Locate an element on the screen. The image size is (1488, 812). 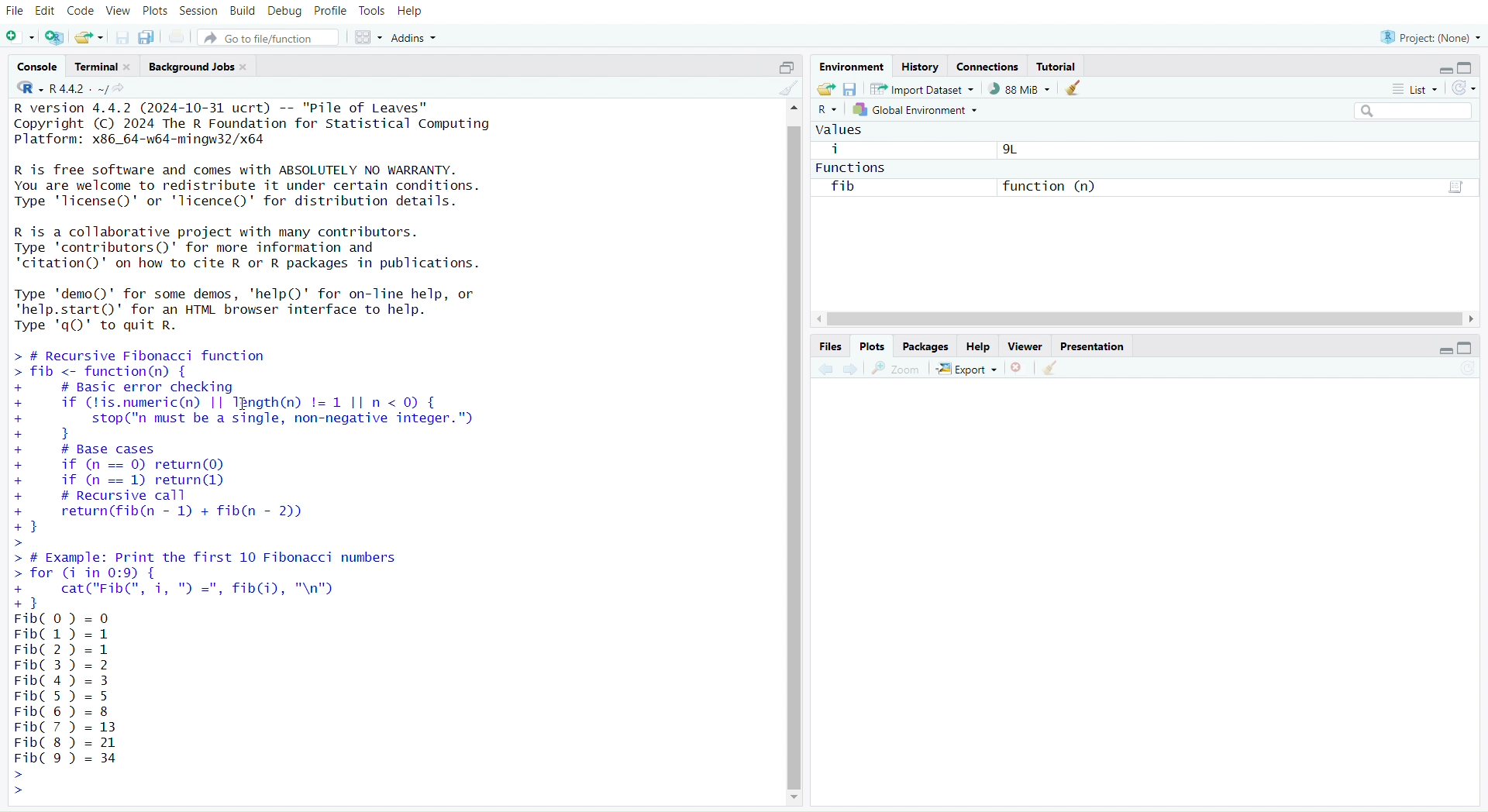
profile is located at coordinates (331, 12).